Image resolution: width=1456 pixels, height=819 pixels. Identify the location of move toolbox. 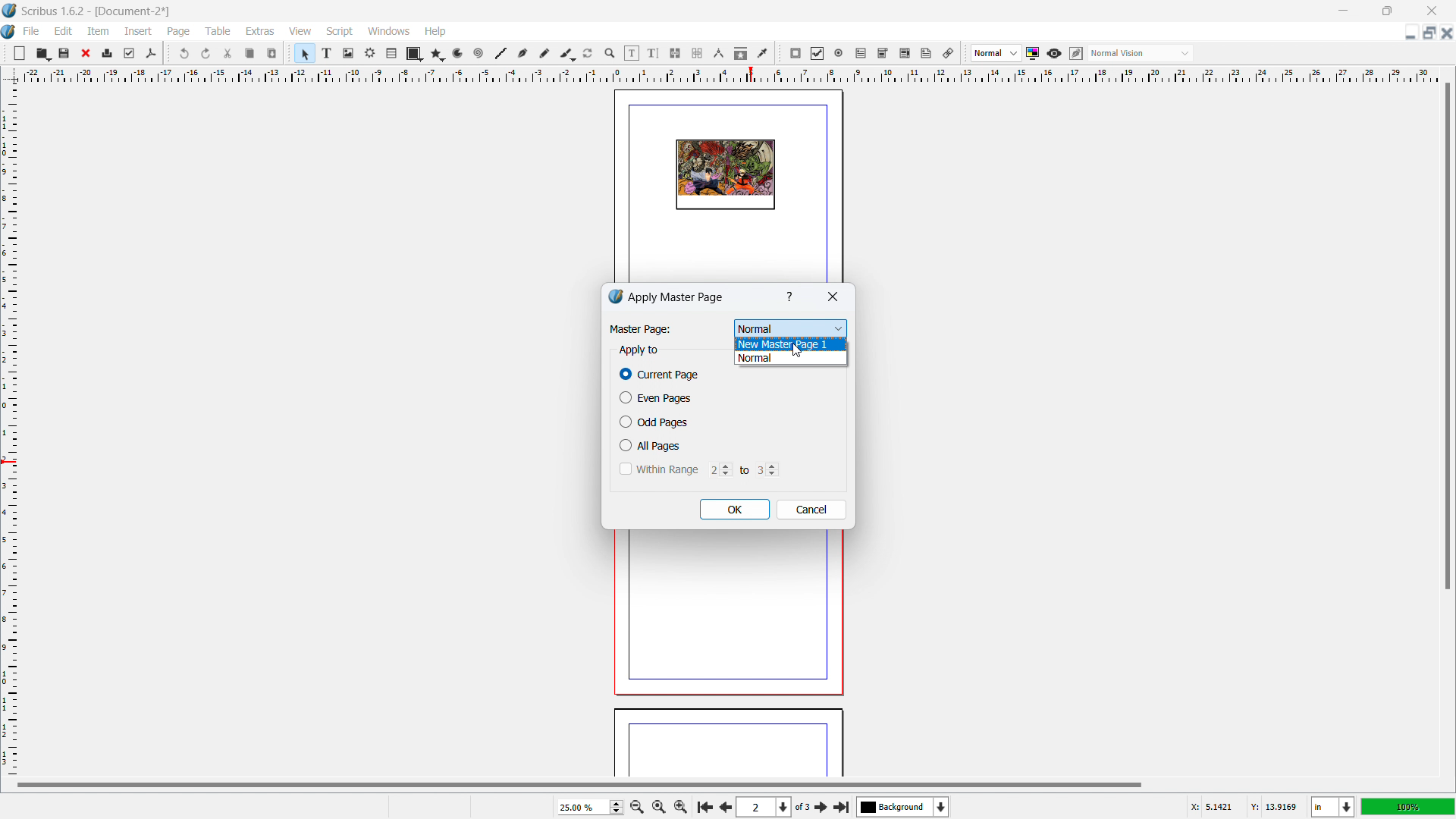
(290, 52).